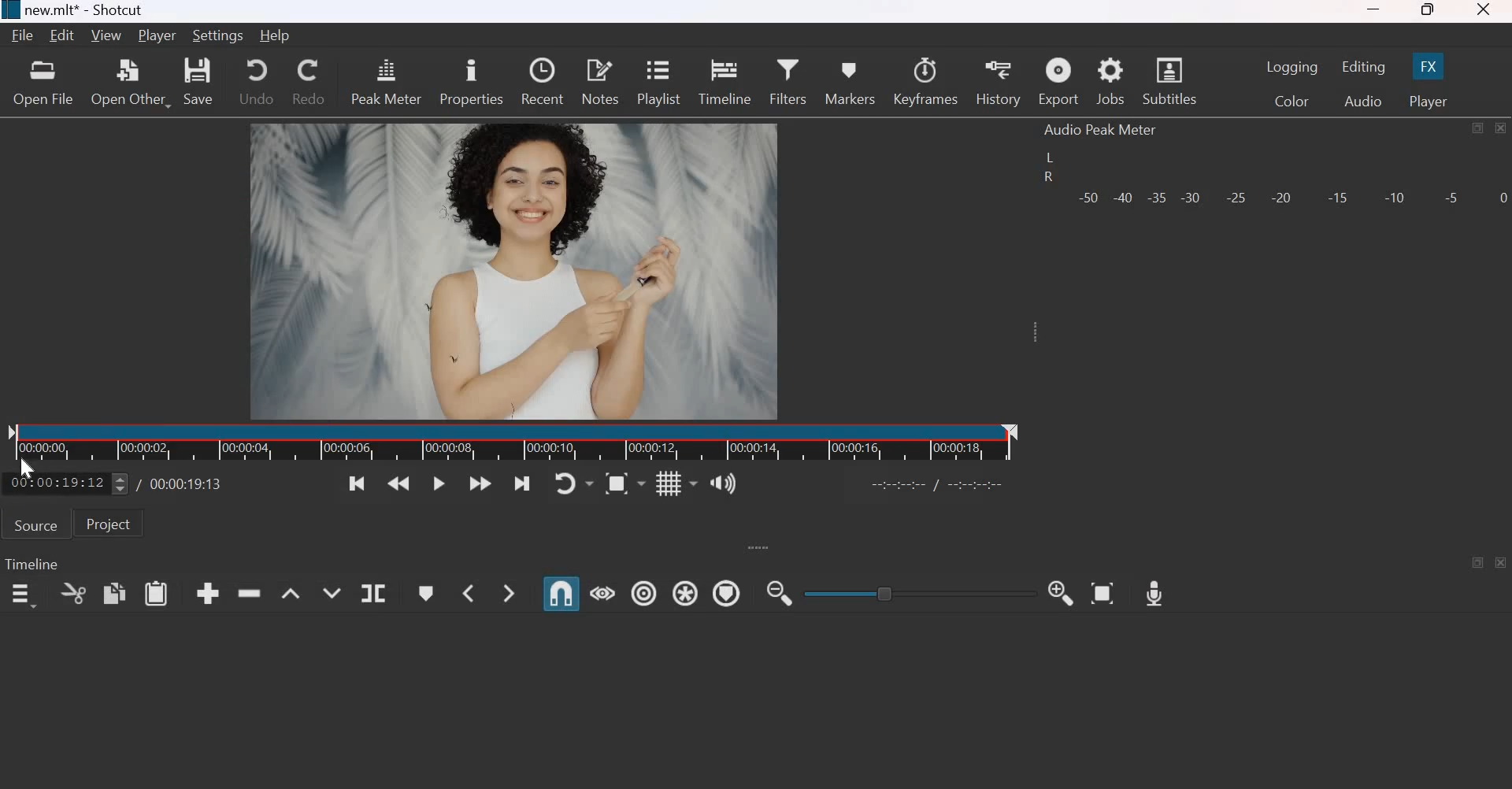 The height and width of the screenshot is (789, 1512). Describe the element at coordinates (1480, 562) in the screenshot. I see `maximize` at that location.